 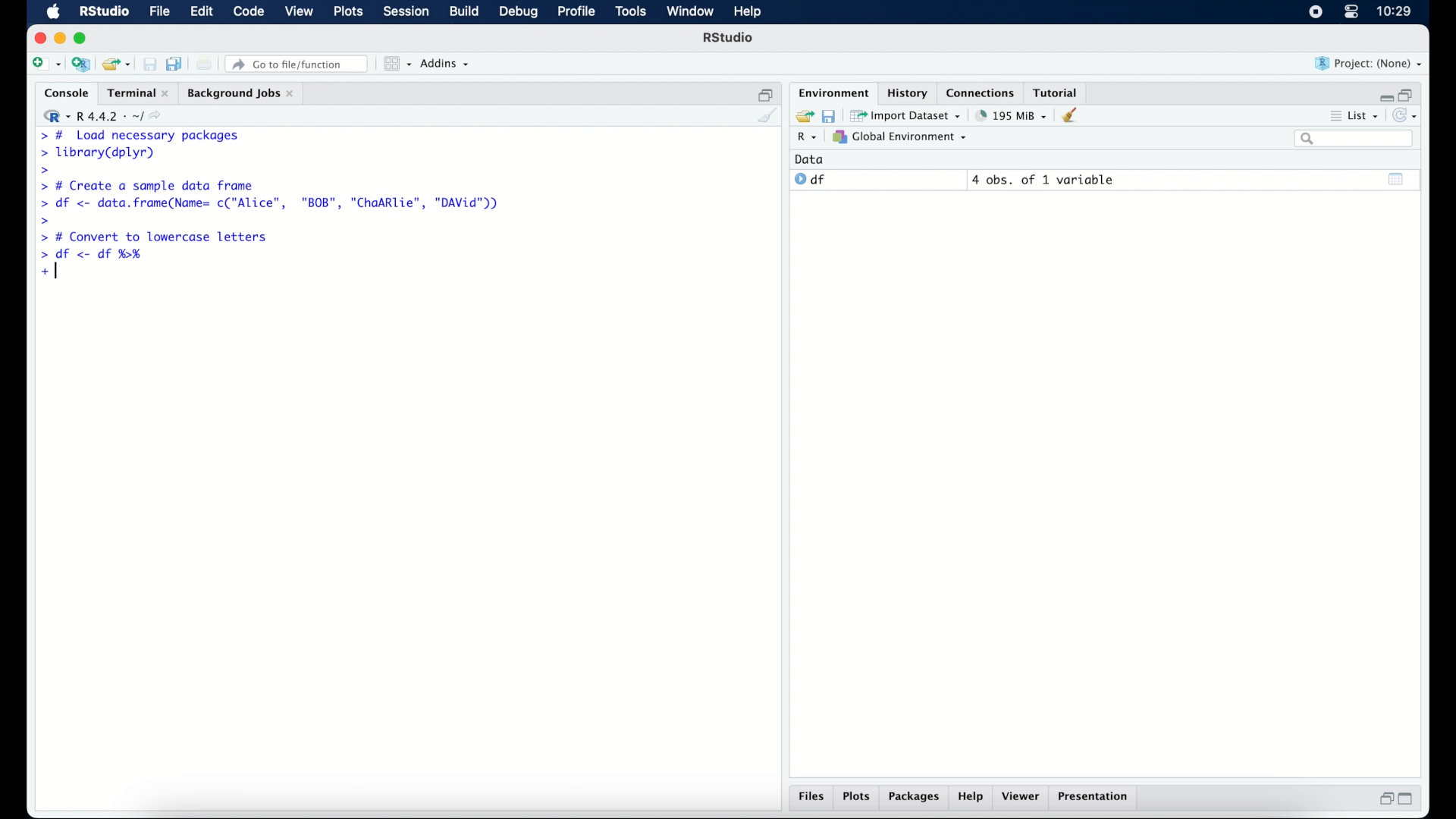 I want to click on +, so click(x=47, y=271).